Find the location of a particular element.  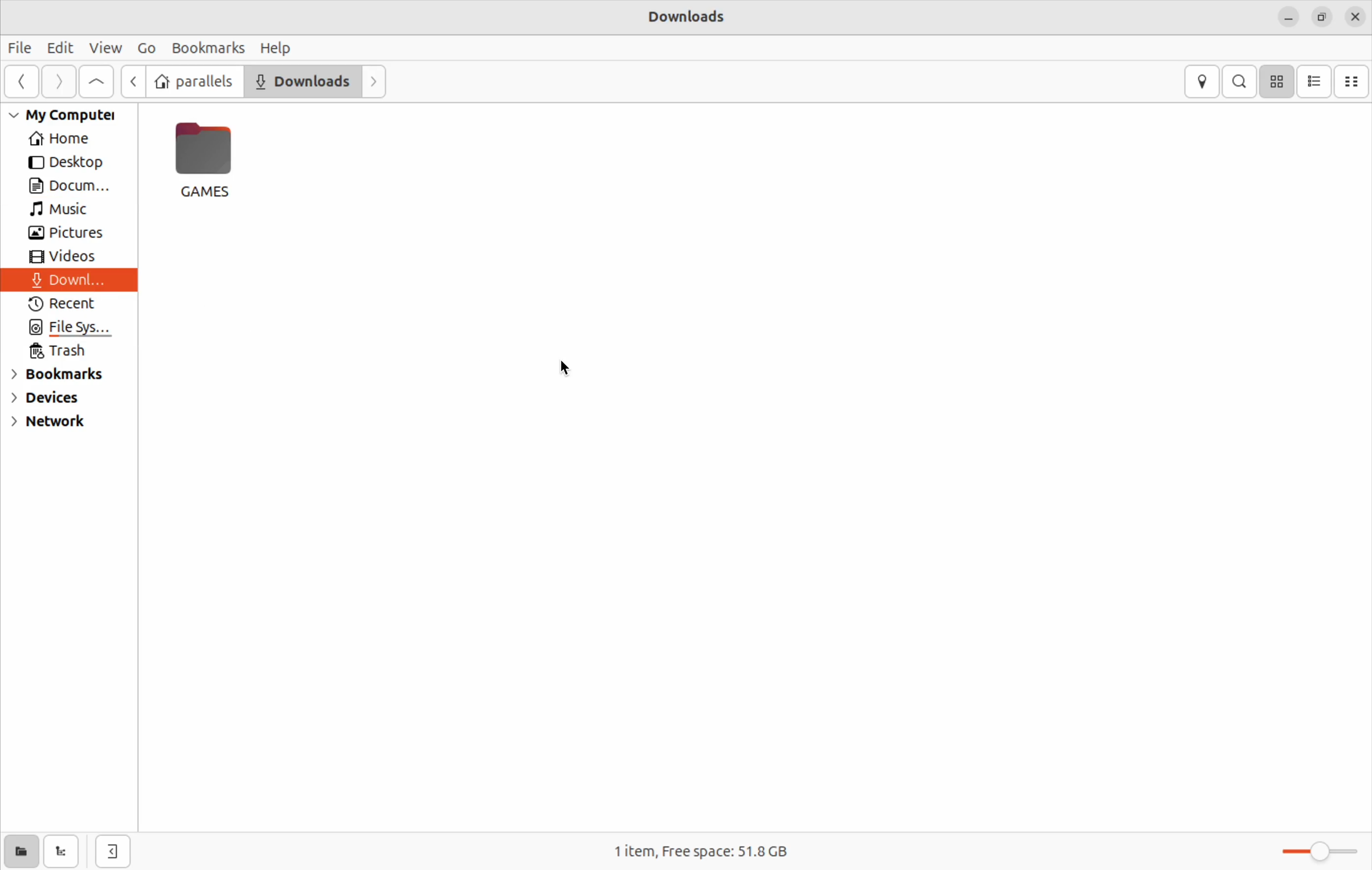

videos is located at coordinates (66, 260).